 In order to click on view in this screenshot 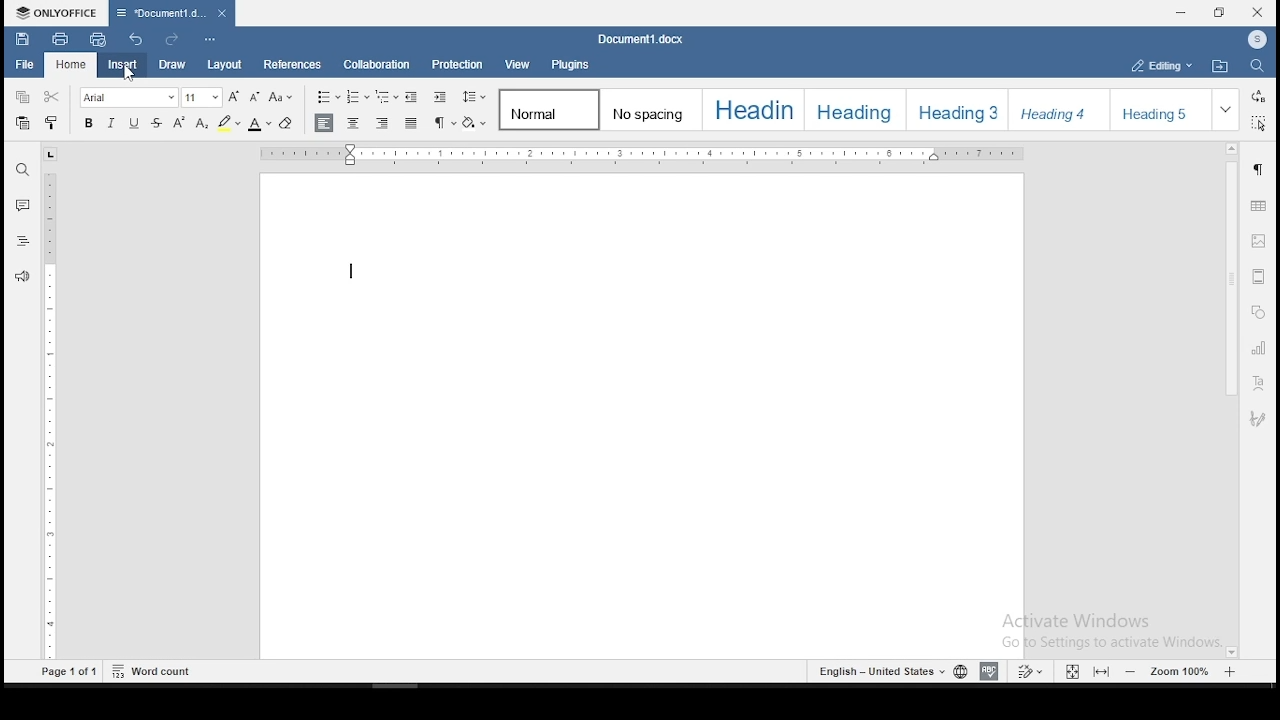, I will do `click(519, 64)`.